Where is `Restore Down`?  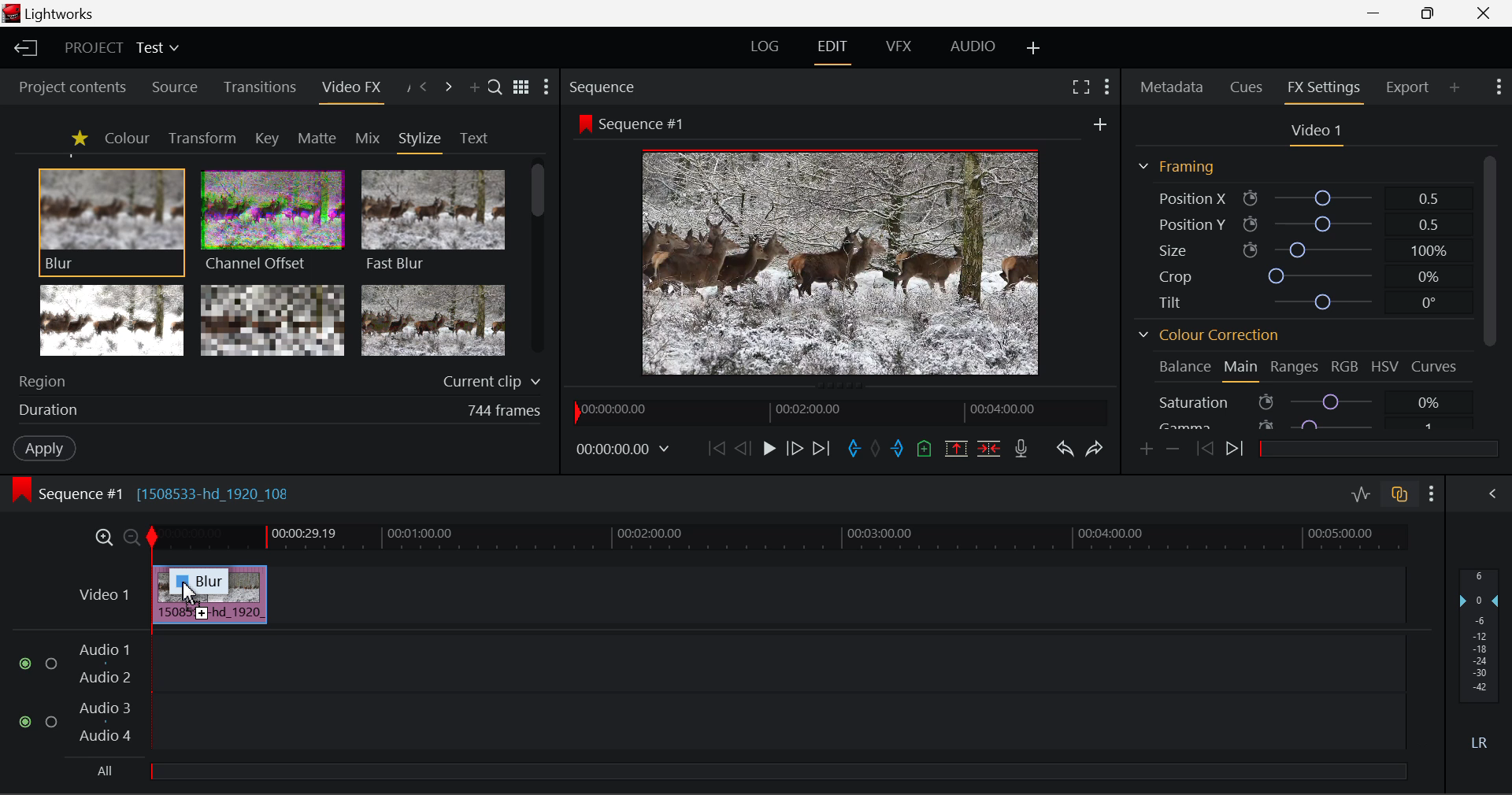
Restore Down is located at coordinates (1378, 13).